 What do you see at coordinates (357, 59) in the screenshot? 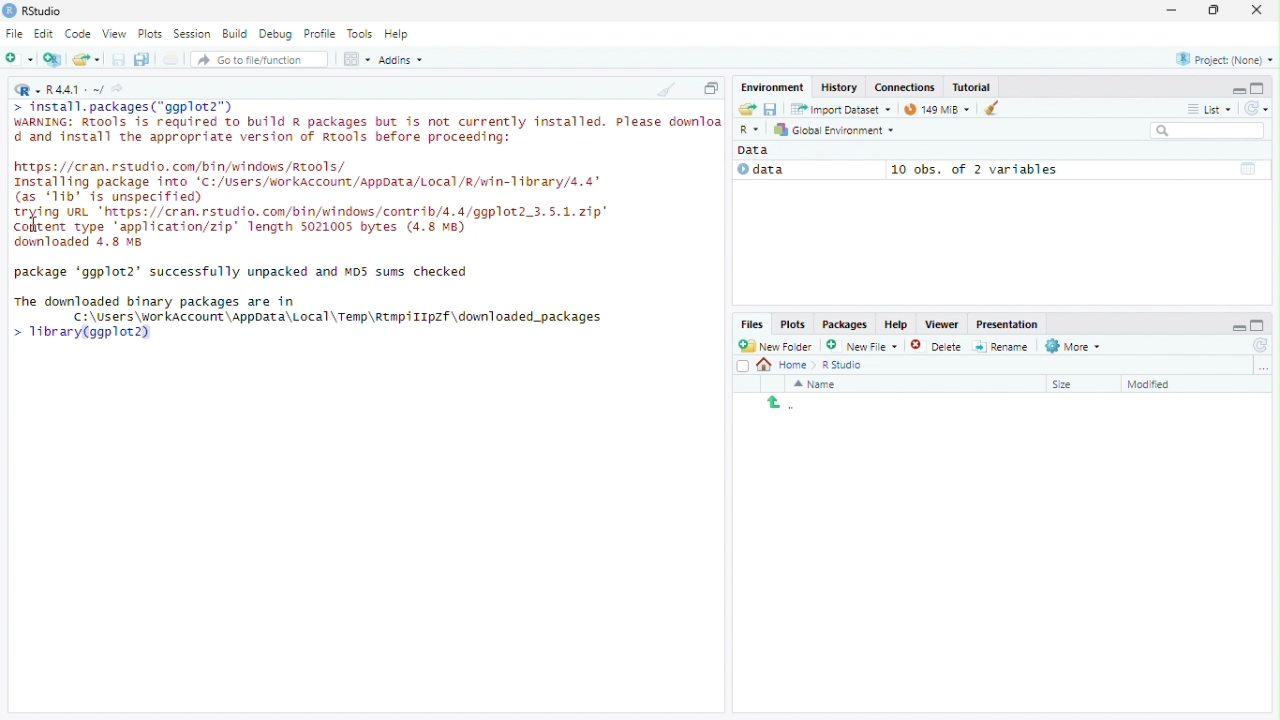
I see `workspace panes` at bounding box center [357, 59].